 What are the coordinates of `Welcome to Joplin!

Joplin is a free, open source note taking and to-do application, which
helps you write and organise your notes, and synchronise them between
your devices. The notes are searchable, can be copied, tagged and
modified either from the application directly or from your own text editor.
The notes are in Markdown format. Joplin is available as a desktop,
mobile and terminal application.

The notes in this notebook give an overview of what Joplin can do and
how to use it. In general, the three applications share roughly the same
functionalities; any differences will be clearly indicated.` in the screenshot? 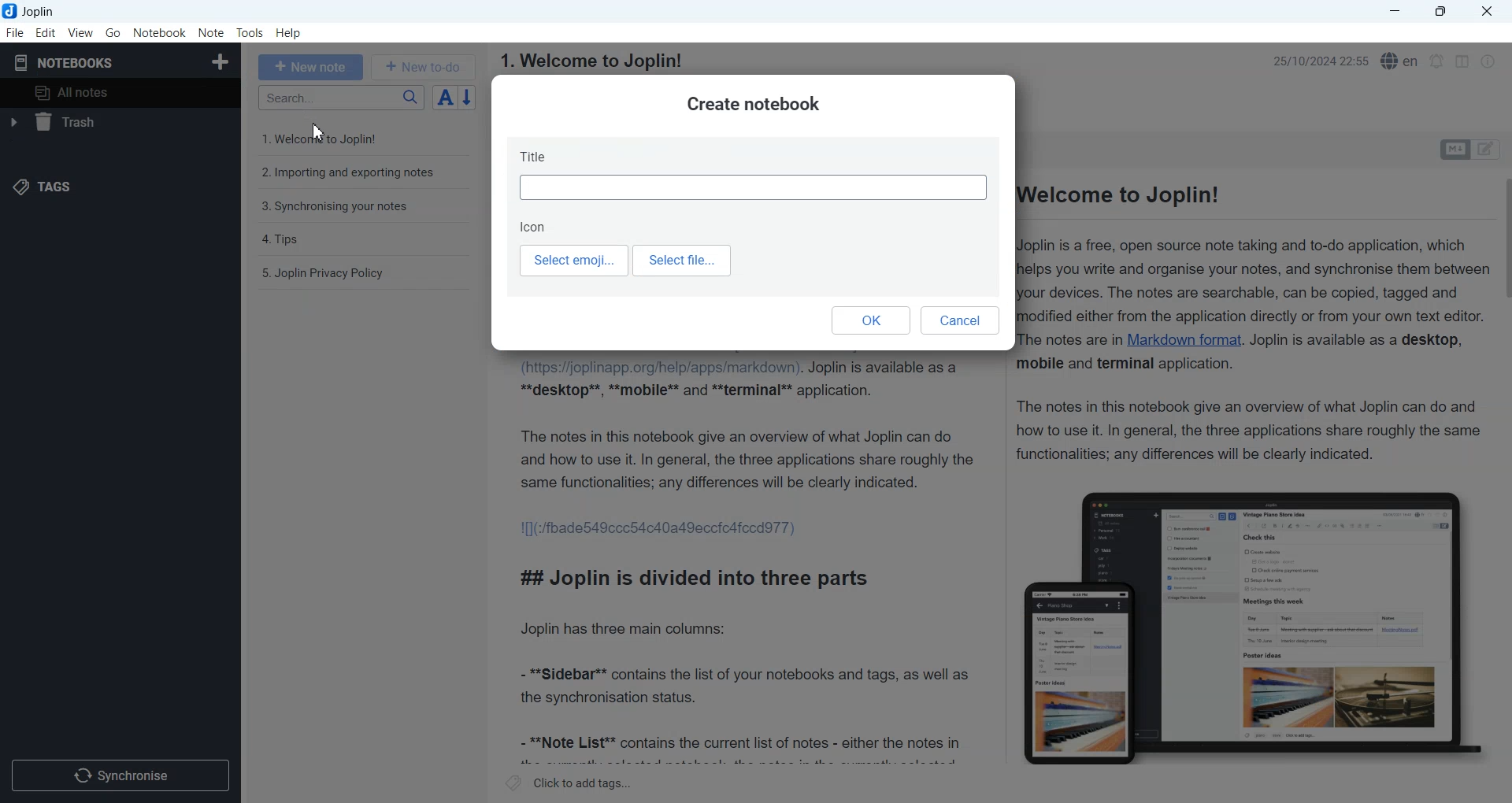 It's located at (1257, 326).